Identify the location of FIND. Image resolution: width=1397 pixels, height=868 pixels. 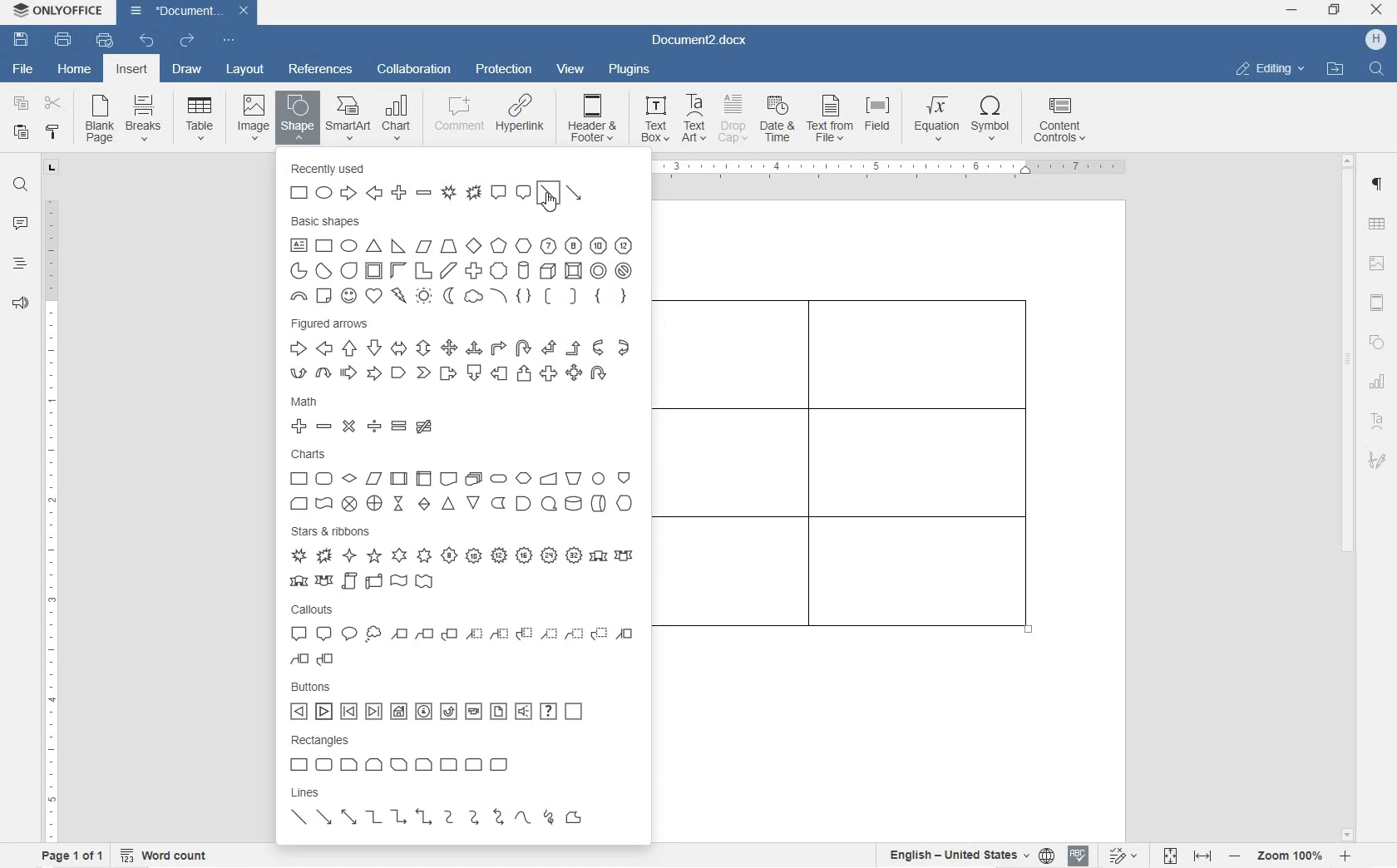
(1378, 68).